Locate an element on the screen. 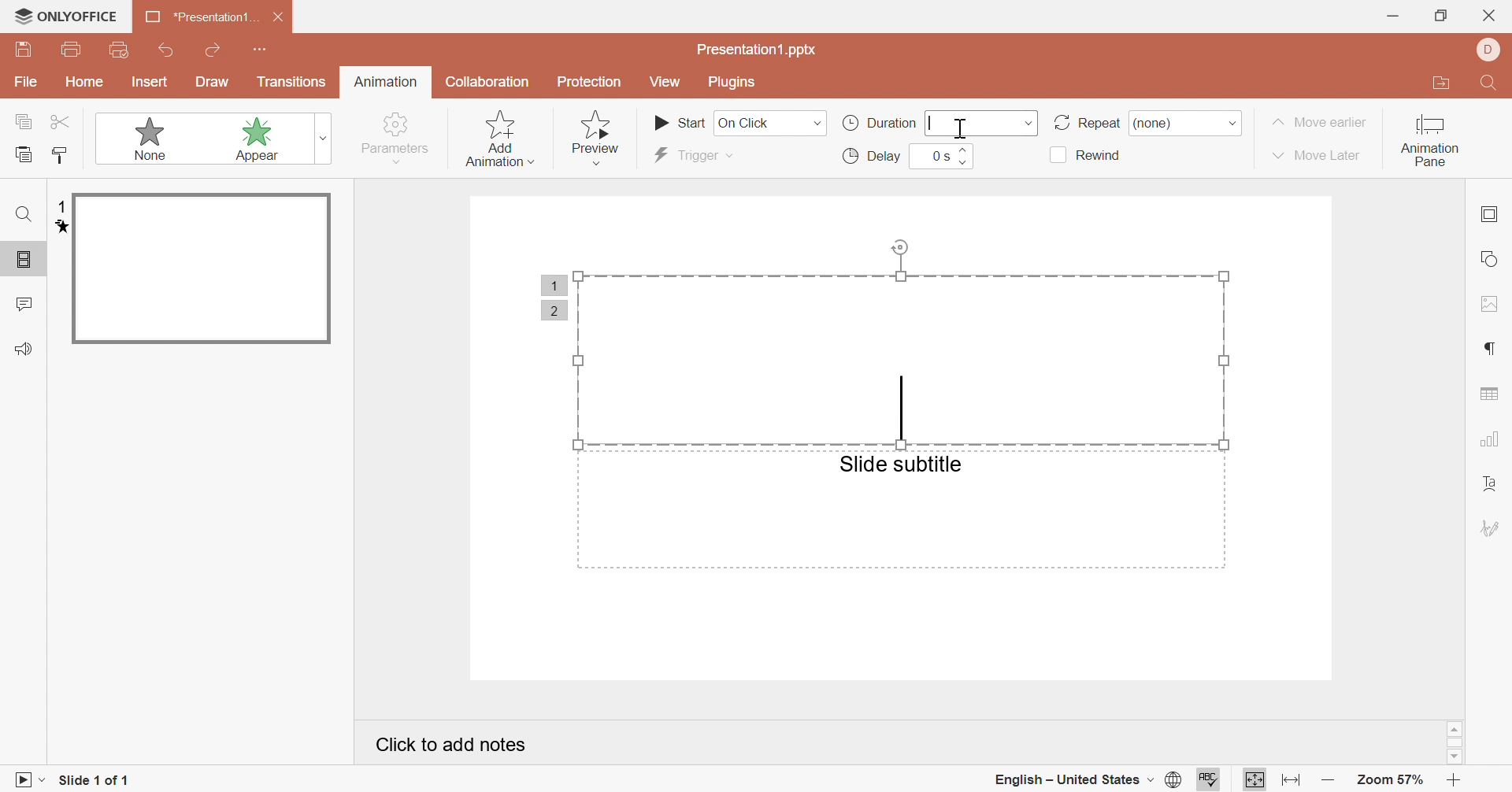 This screenshot has height=792, width=1512. spell checking is located at coordinates (1212, 783).